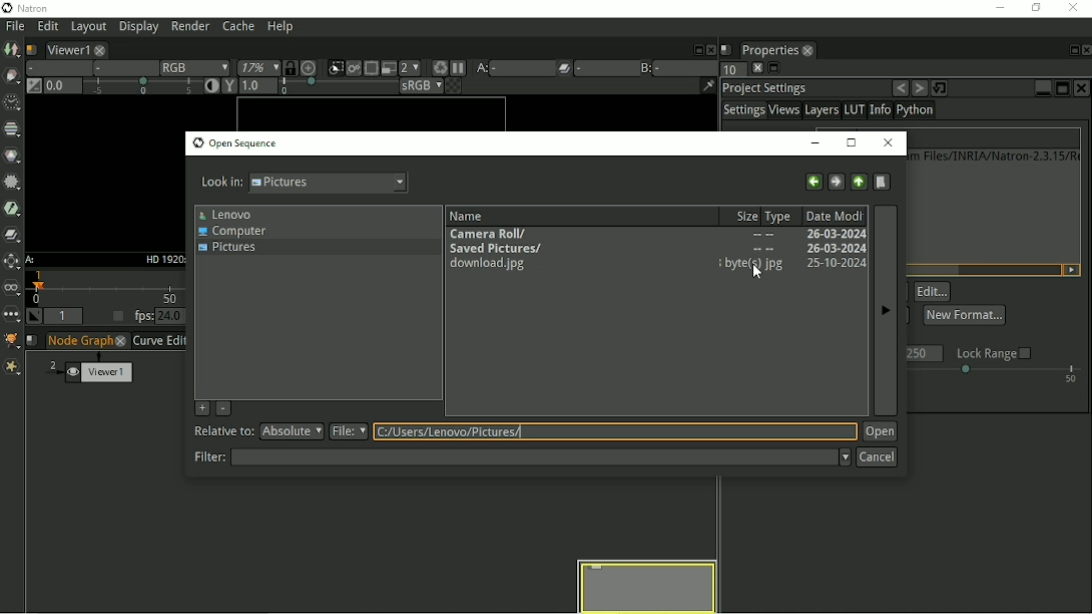 The image size is (1092, 614). Describe the element at coordinates (459, 68) in the screenshot. I see `Pause updates` at that location.